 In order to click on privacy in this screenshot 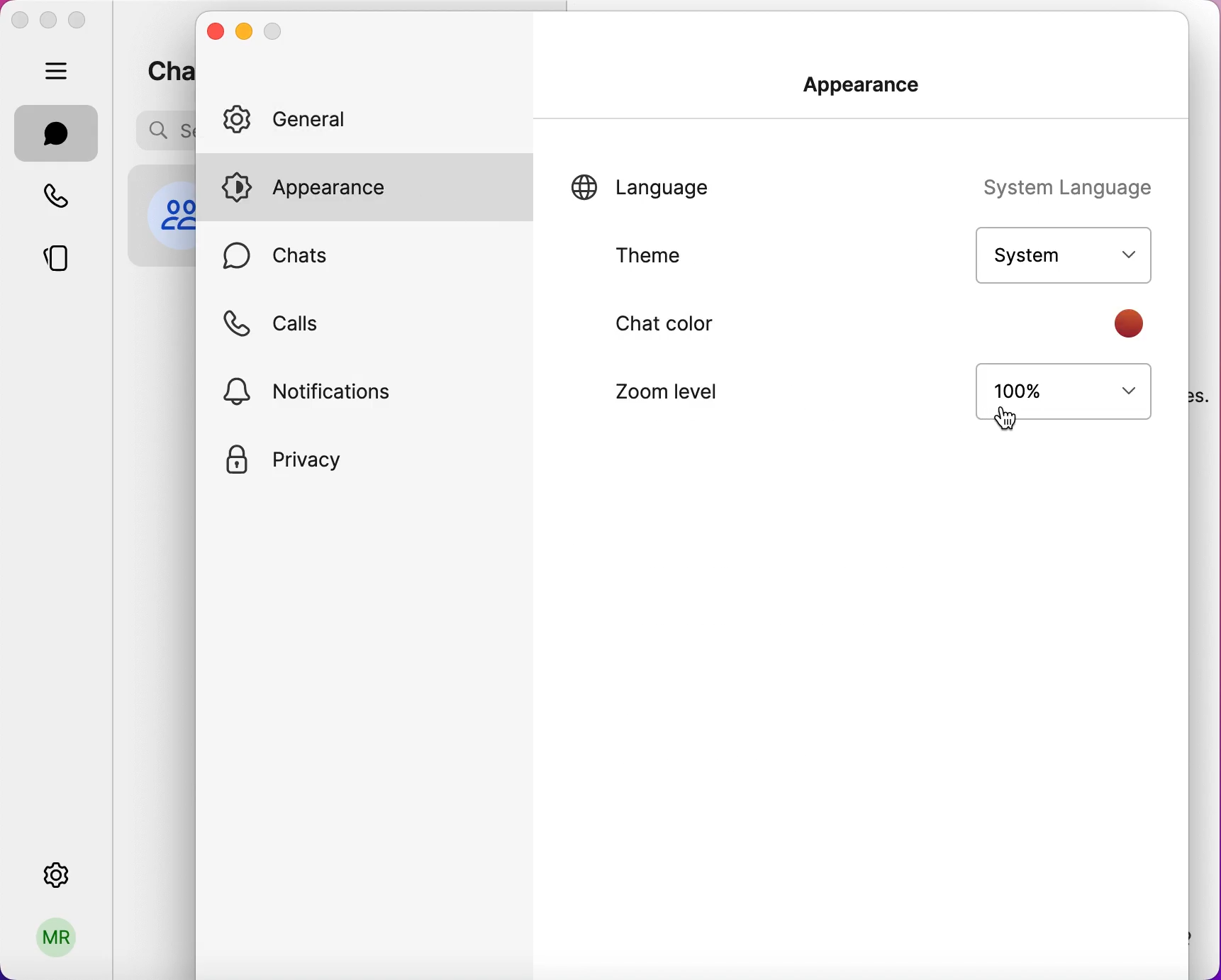, I will do `click(301, 465)`.